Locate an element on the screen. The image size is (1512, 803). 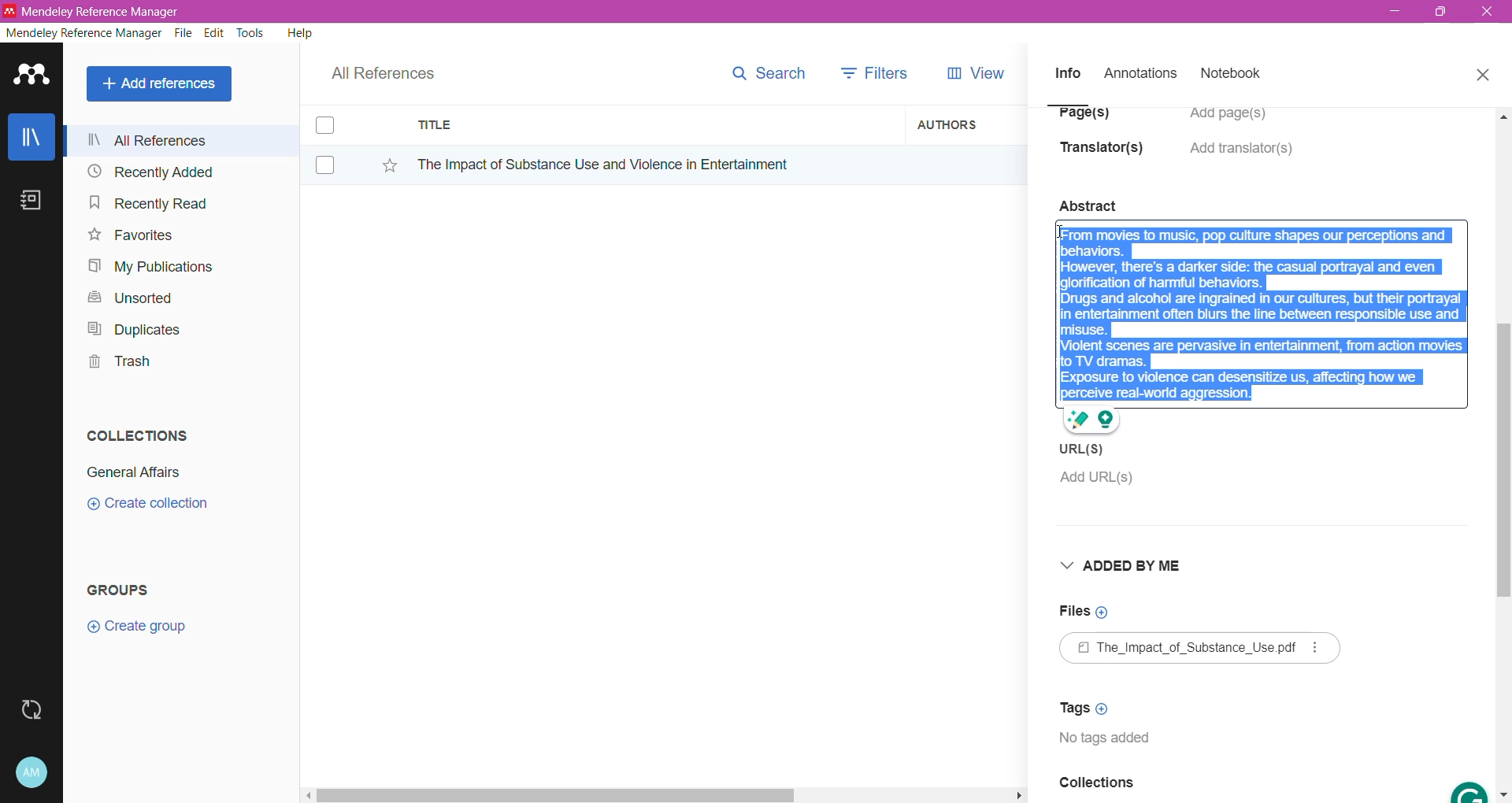
Vertical Scroll Bar is located at coordinates (1503, 453).